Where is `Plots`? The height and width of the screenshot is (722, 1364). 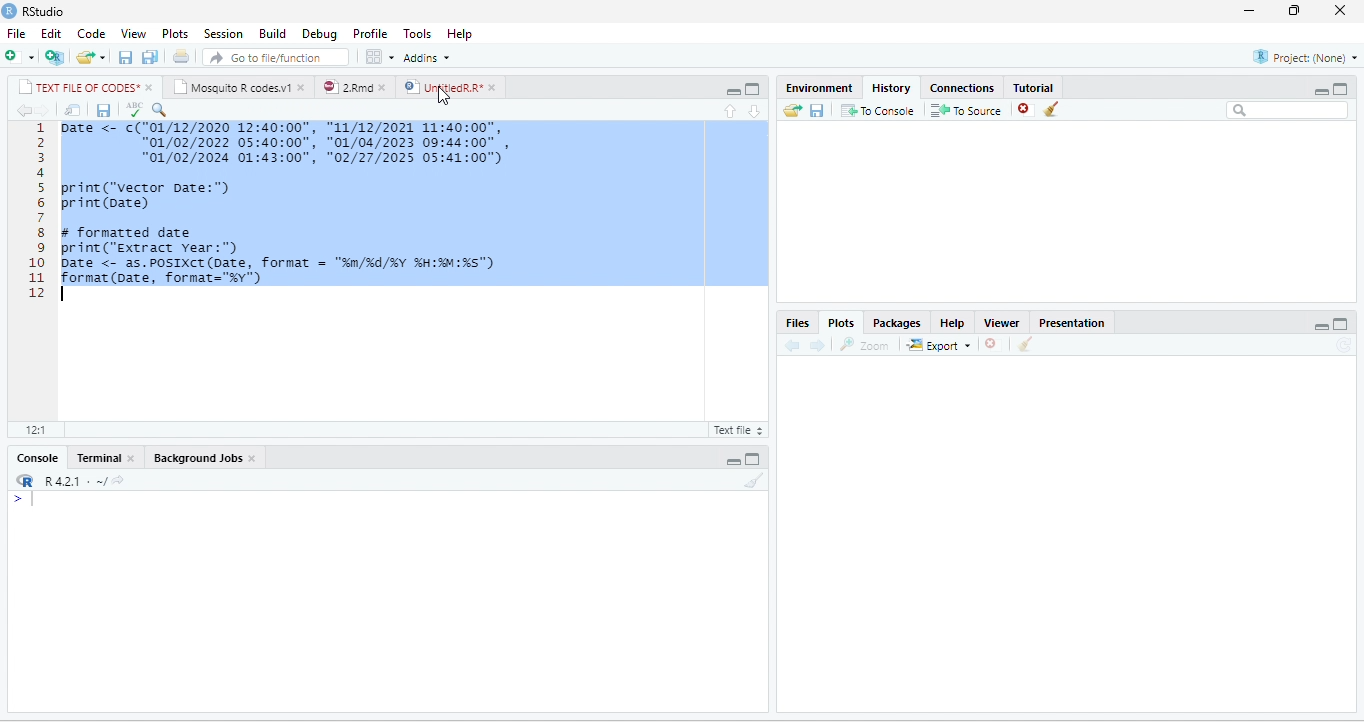
Plots is located at coordinates (841, 322).